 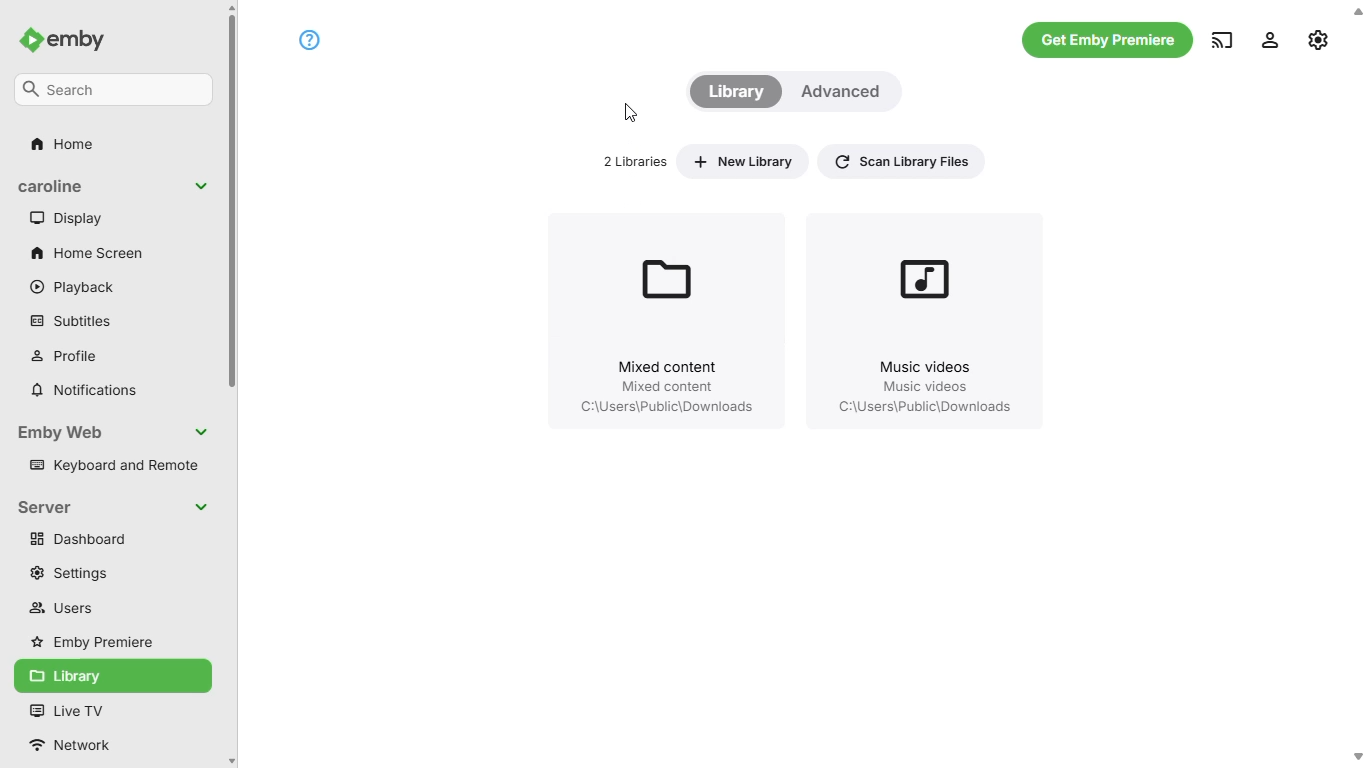 What do you see at coordinates (738, 91) in the screenshot?
I see `library` at bounding box center [738, 91].